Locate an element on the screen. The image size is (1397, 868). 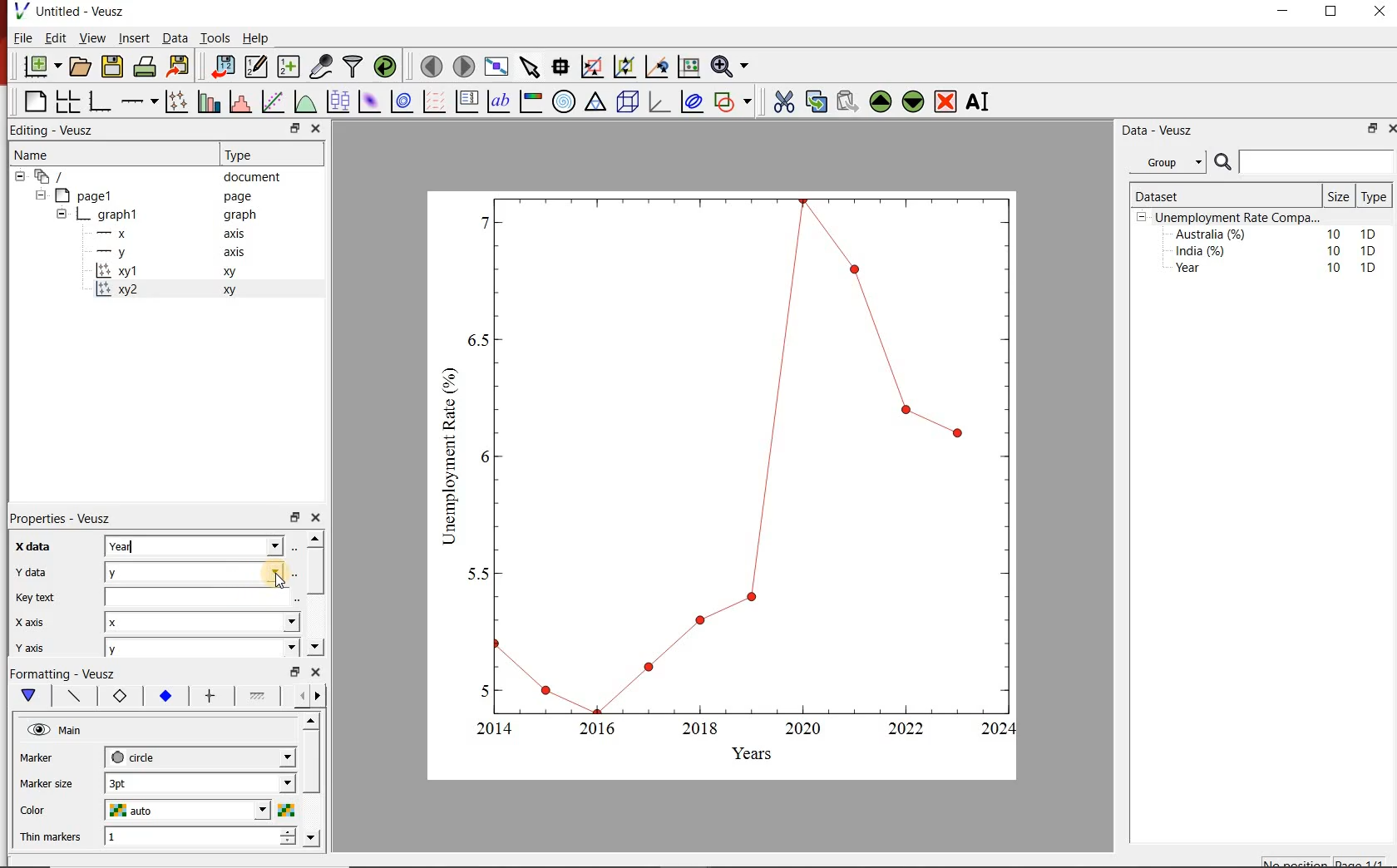
scroll bar is located at coordinates (312, 776).